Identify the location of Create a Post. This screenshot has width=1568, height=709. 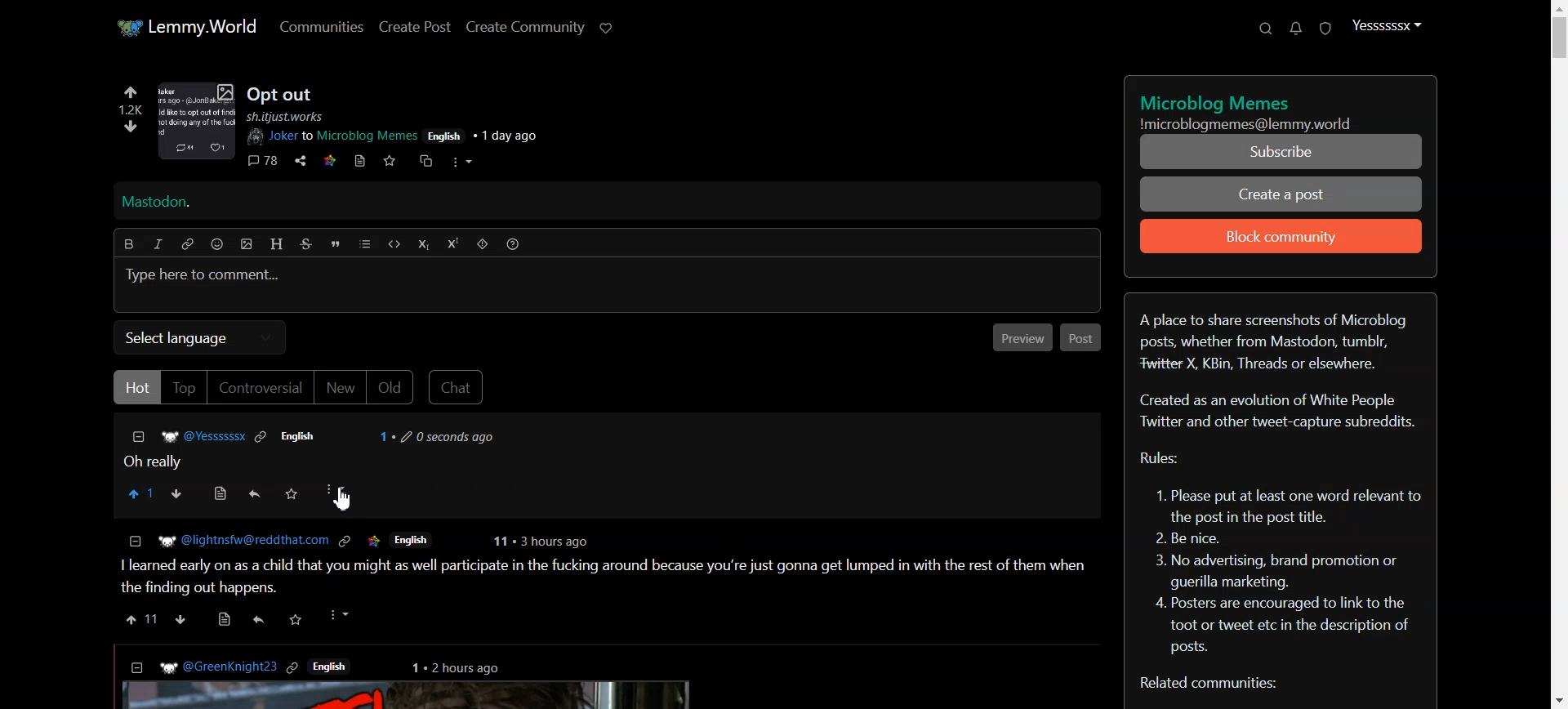
(1280, 194).